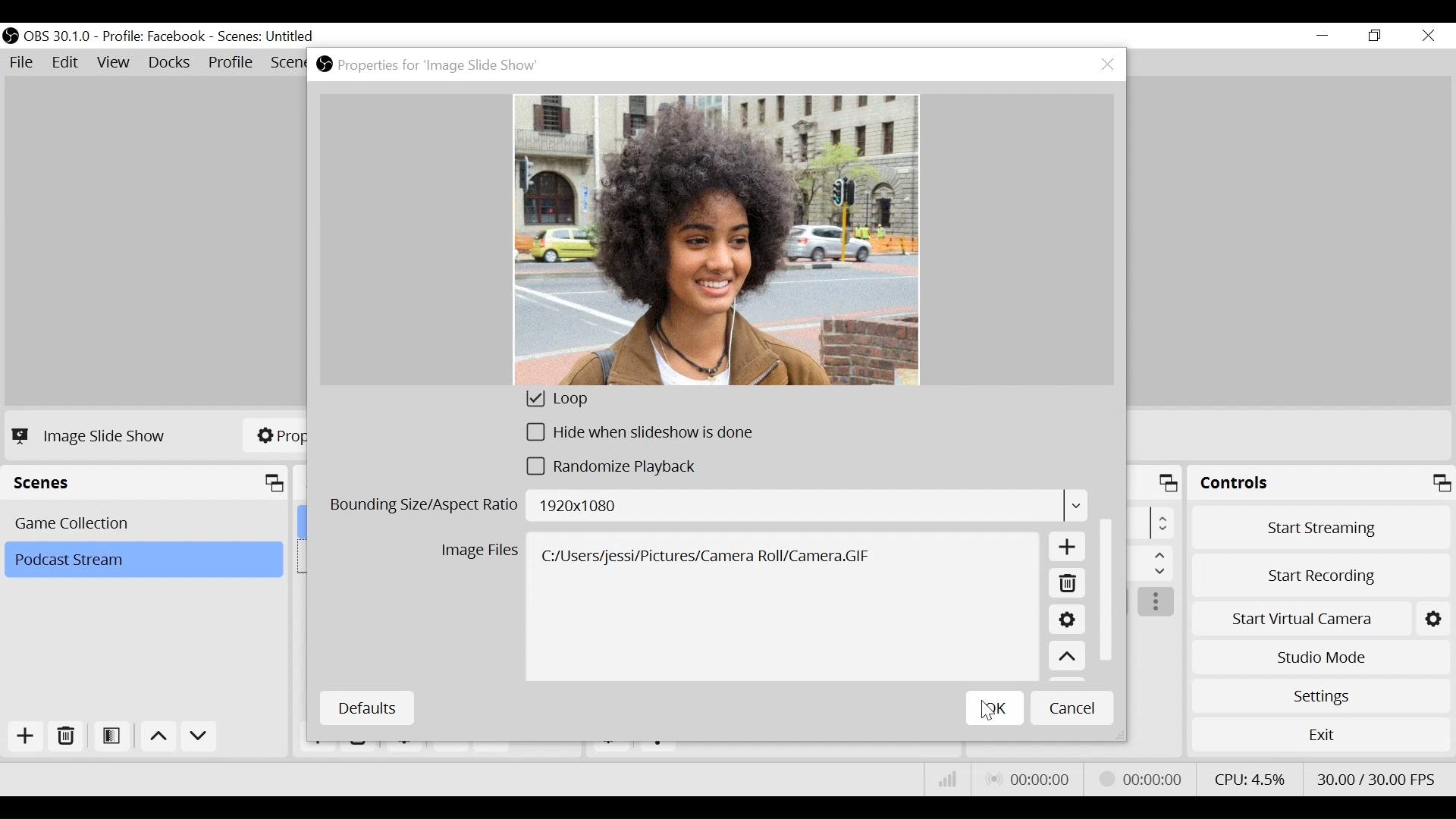 The image size is (1456, 819). What do you see at coordinates (154, 36) in the screenshot?
I see `Profile` at bounding box center [154, 36].